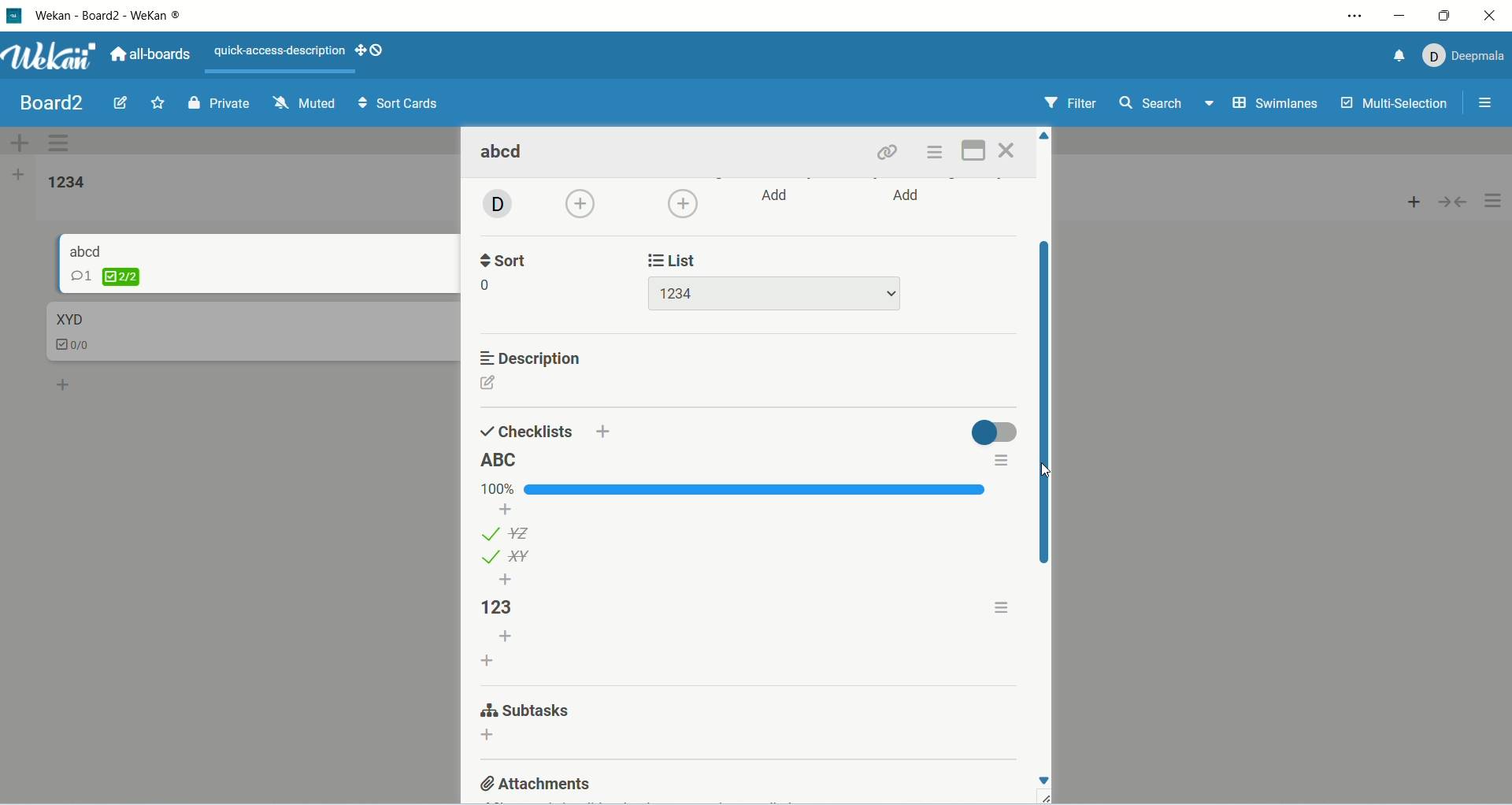 This screenshot has height=805, width=1512. What do you see at coordinates (1442, 16) in the screenshot?
I see `maximize` at bounding box center [1442, 16].